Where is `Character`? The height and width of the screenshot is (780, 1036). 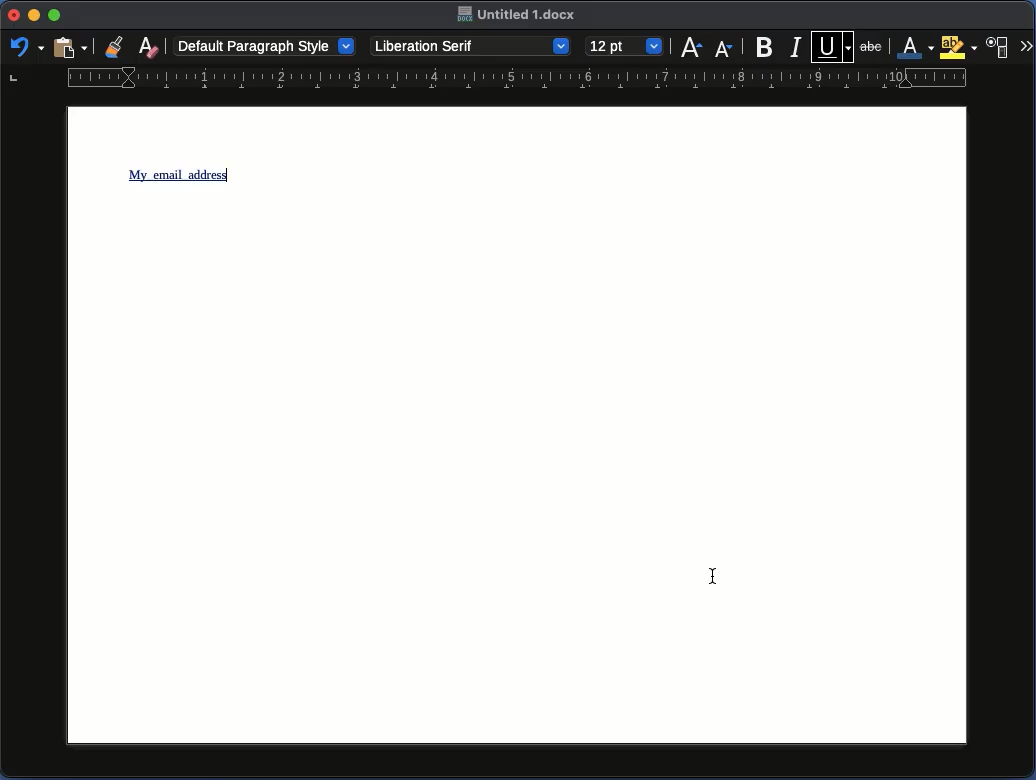 Character is located at coordinates (999, 46).